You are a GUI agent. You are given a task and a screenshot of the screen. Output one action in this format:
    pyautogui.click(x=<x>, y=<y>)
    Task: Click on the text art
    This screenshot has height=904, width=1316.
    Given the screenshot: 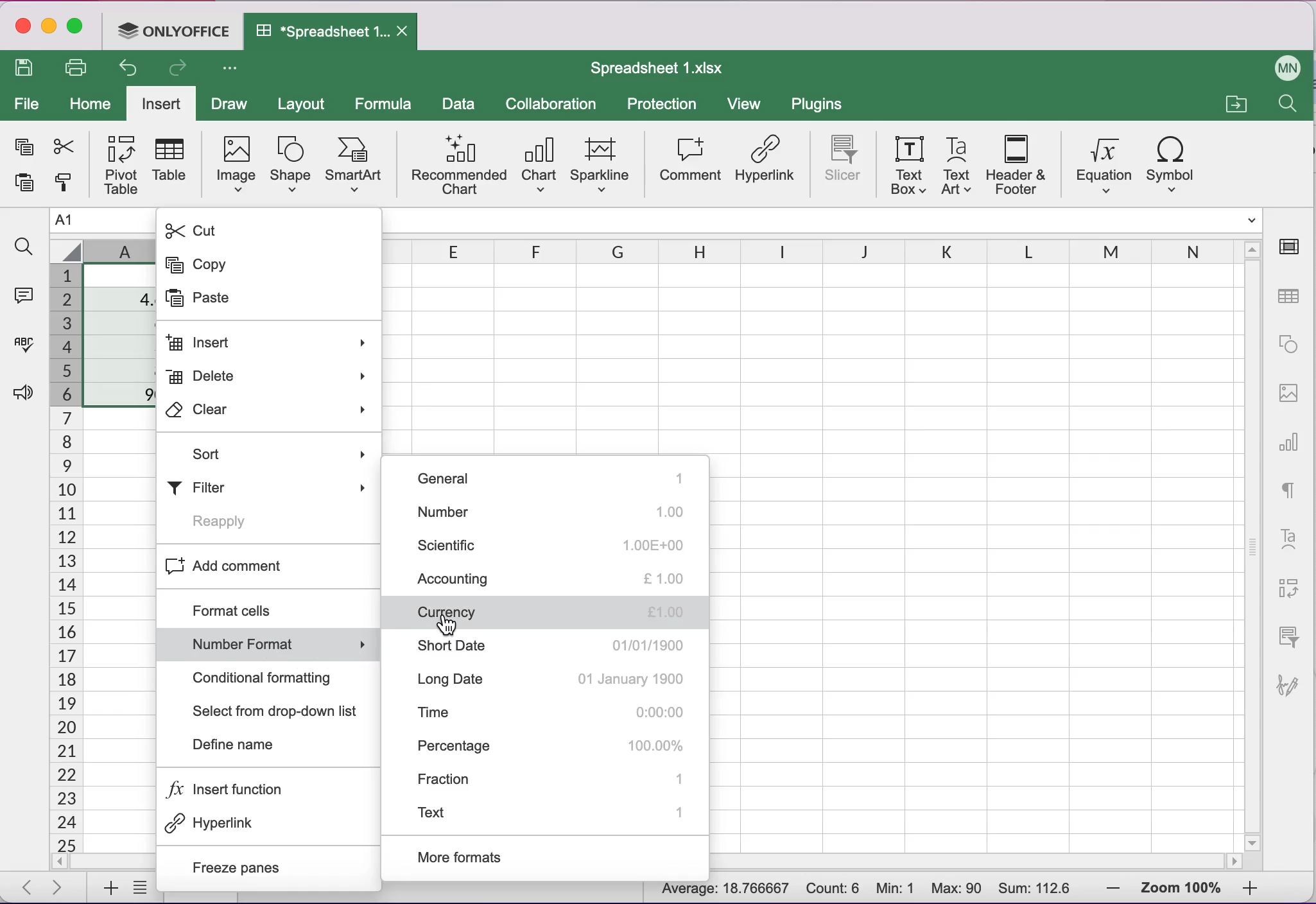 What is the action you would take?
    pyautogui.click(x=1288, y=542)
    